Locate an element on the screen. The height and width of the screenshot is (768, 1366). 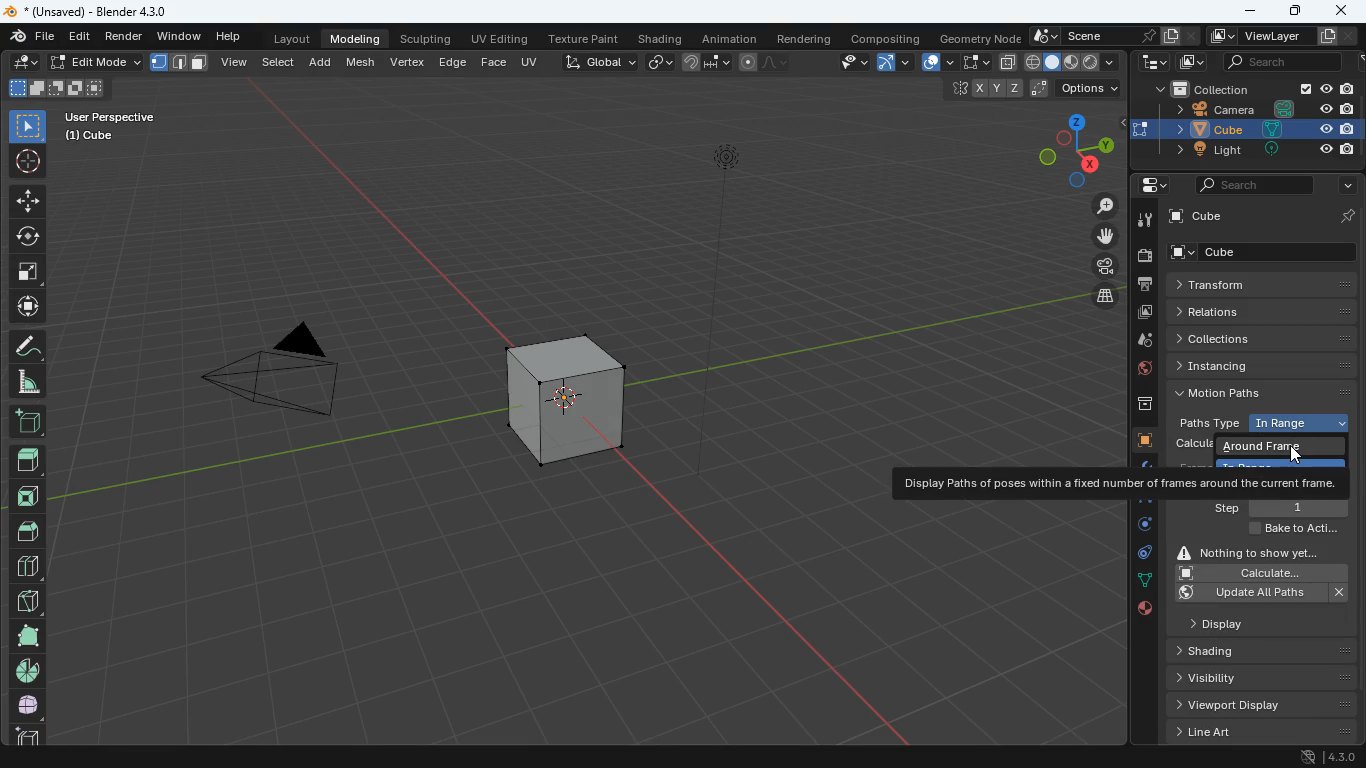
aim is located at coordinates (27, 158).